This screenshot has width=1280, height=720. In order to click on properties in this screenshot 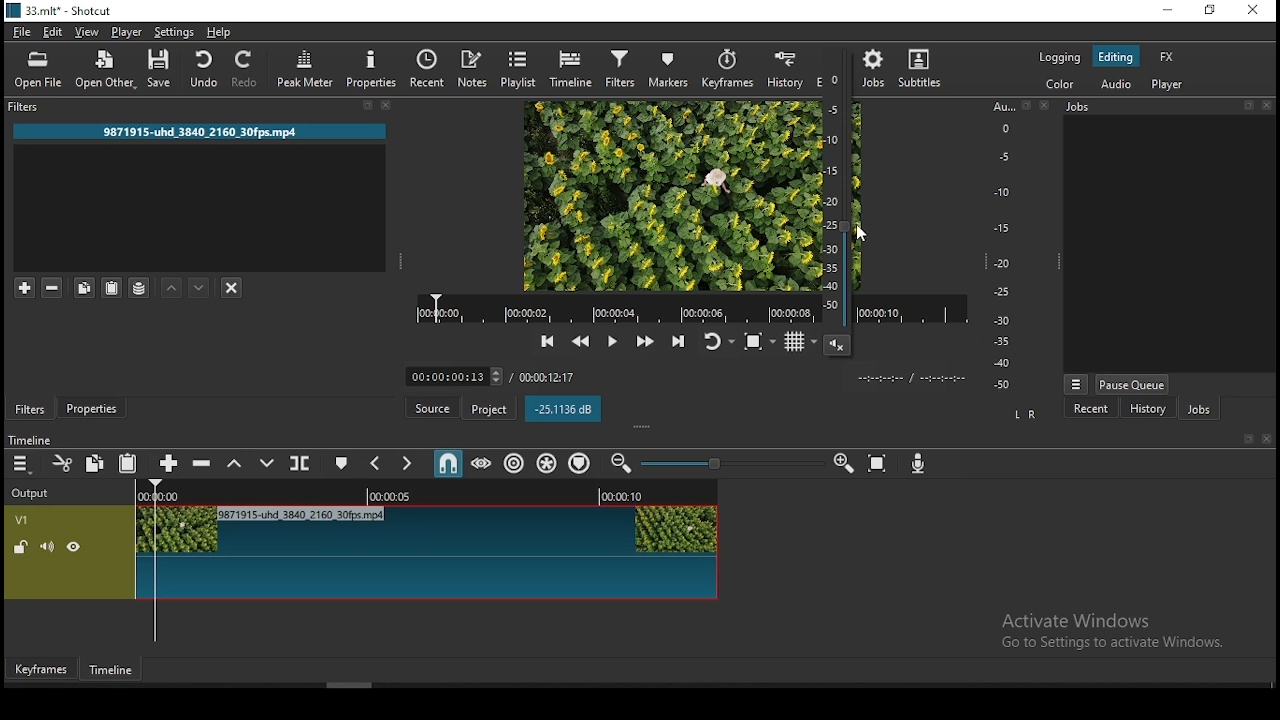, I will do `click(369, 67)`.